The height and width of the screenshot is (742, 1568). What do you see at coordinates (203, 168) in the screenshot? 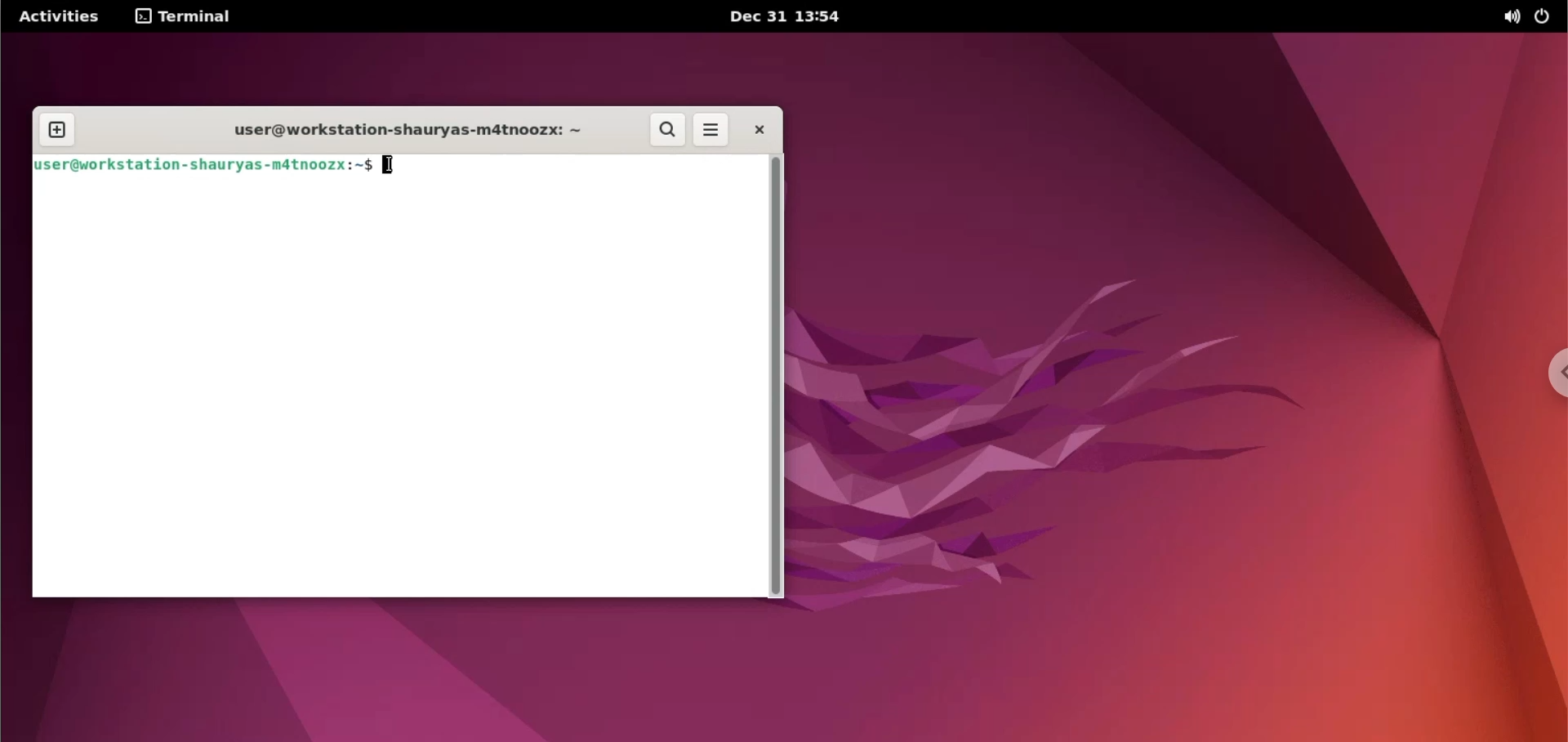
I see `Jlluser@workstation-shau ryas-mdtnoozx:~$` at bounding box center [203, 168].